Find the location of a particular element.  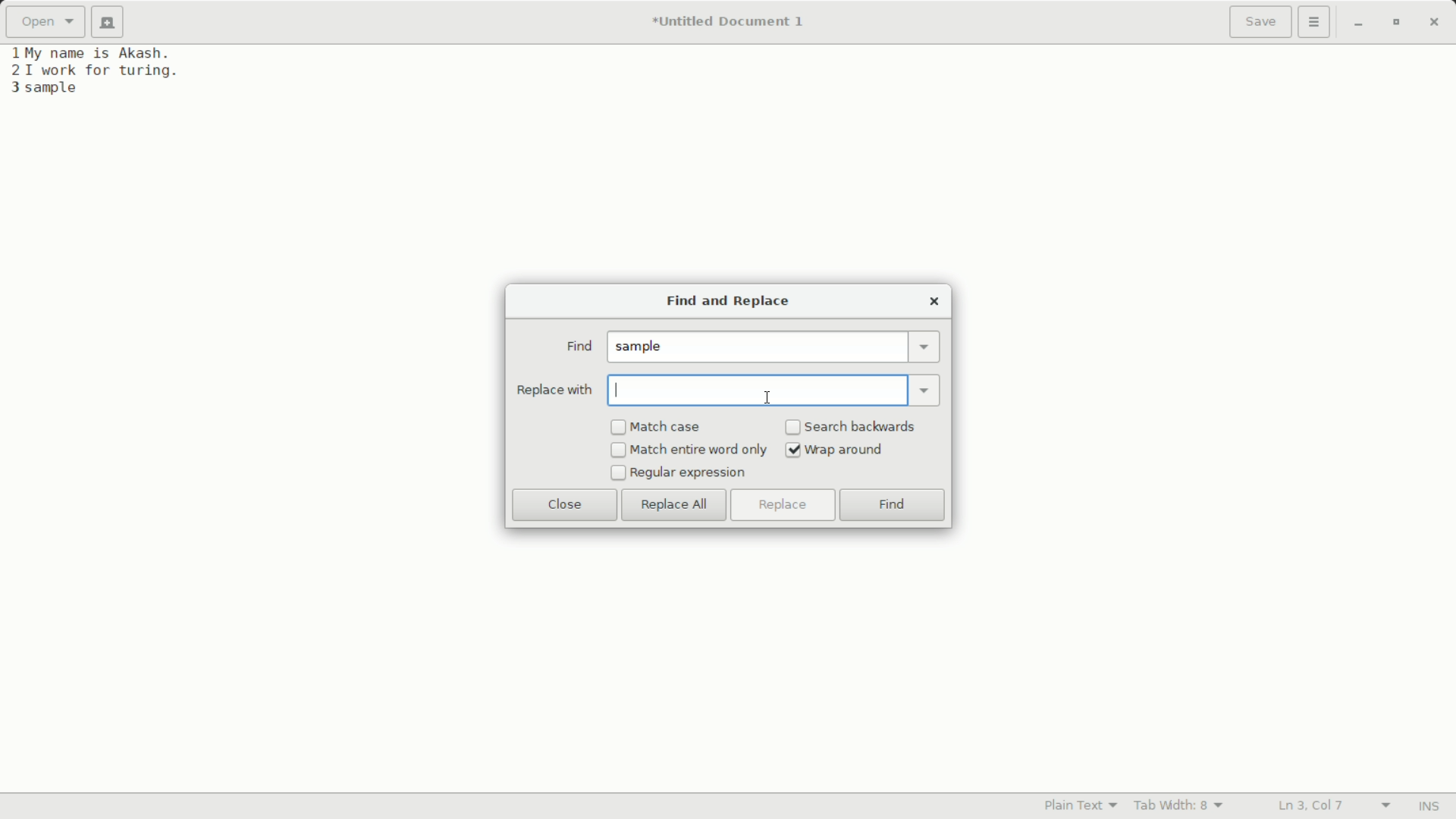

text cursor is located at coordinates (770, 396).